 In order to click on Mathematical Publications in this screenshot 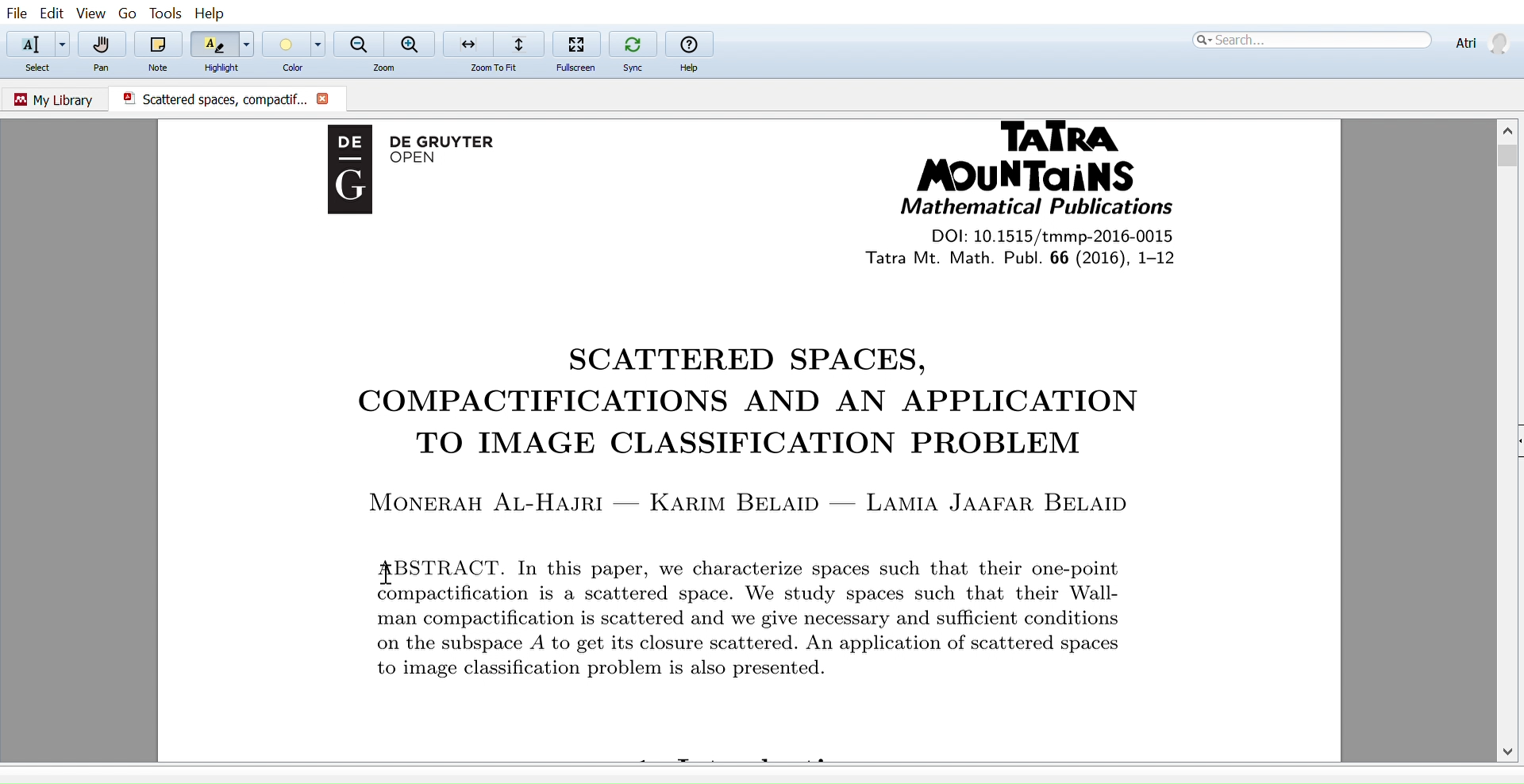, I will do `click(1036, 208)`.